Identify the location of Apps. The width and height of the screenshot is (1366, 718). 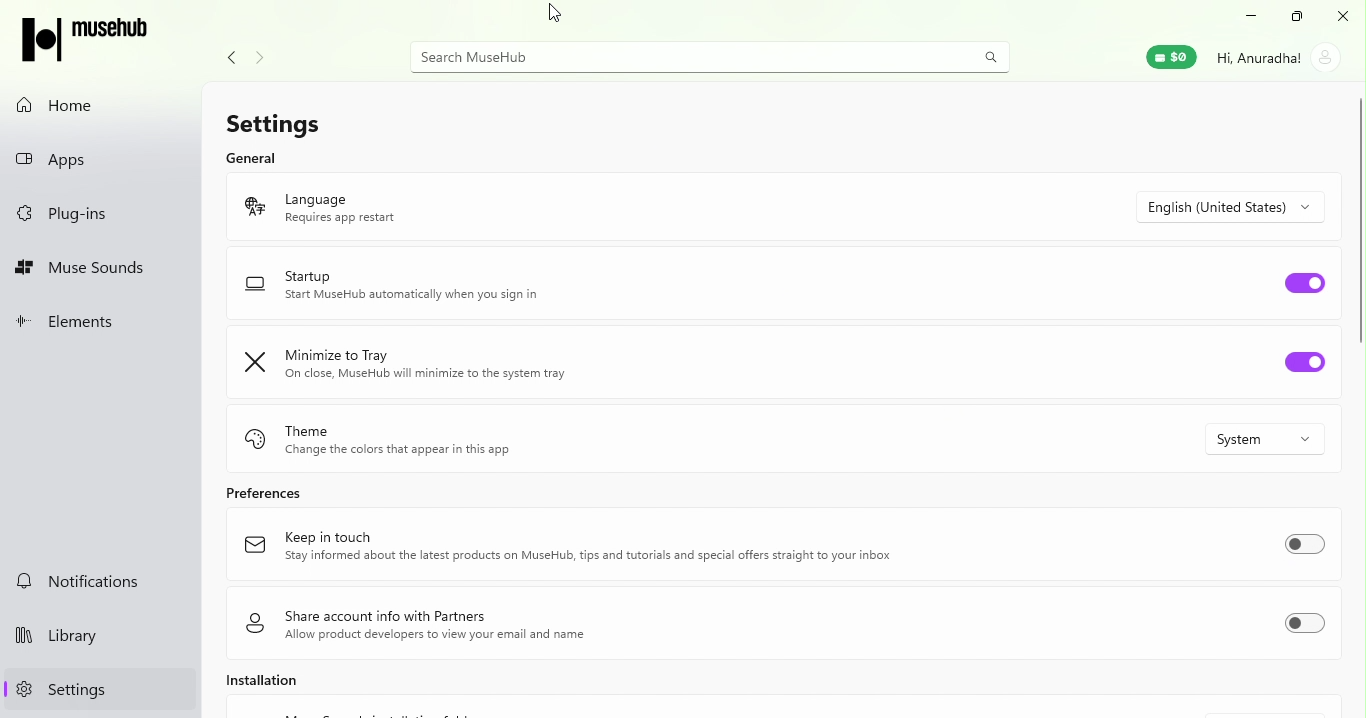
(104, 160).